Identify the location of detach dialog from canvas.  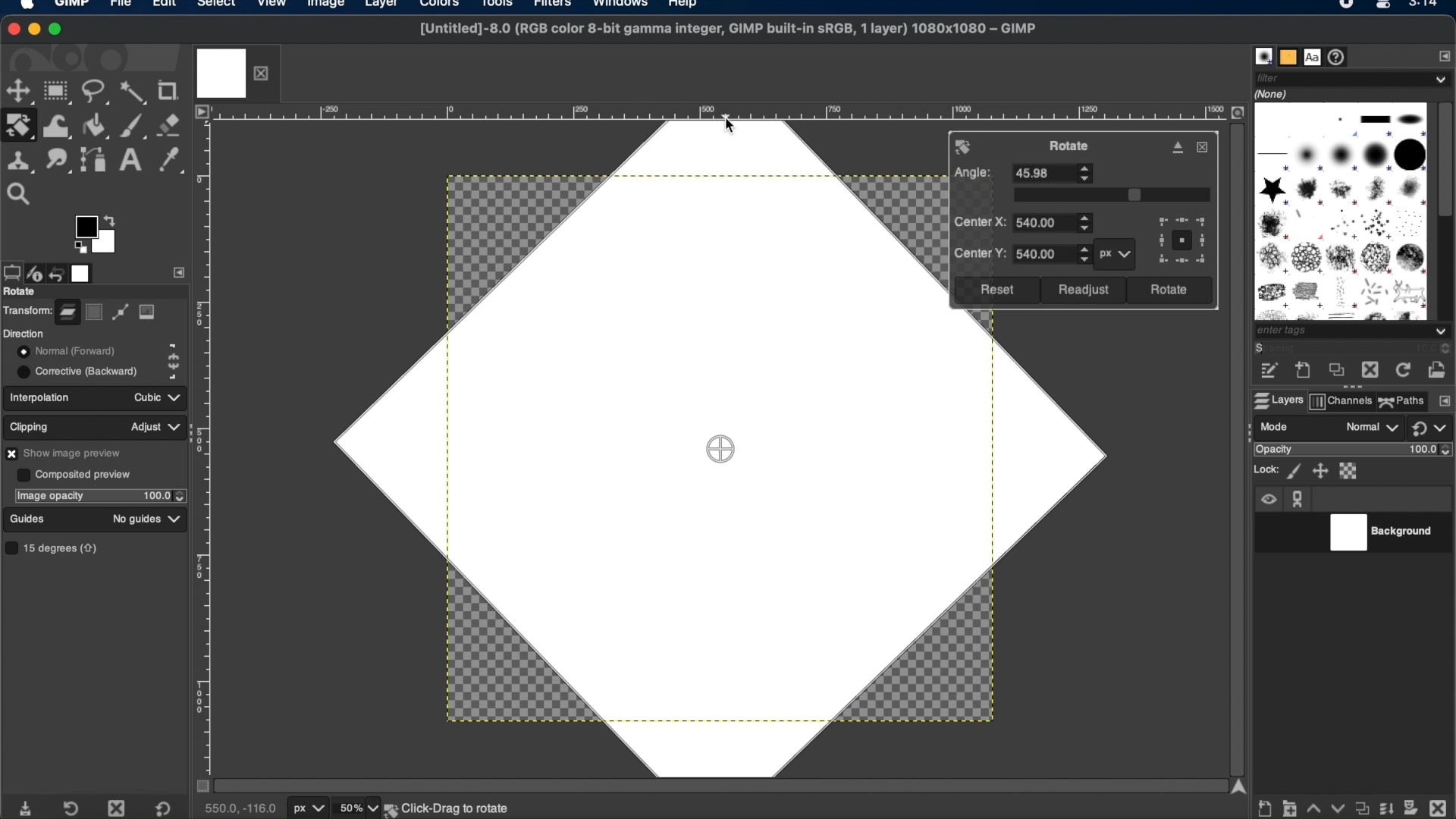
(1178, 147).